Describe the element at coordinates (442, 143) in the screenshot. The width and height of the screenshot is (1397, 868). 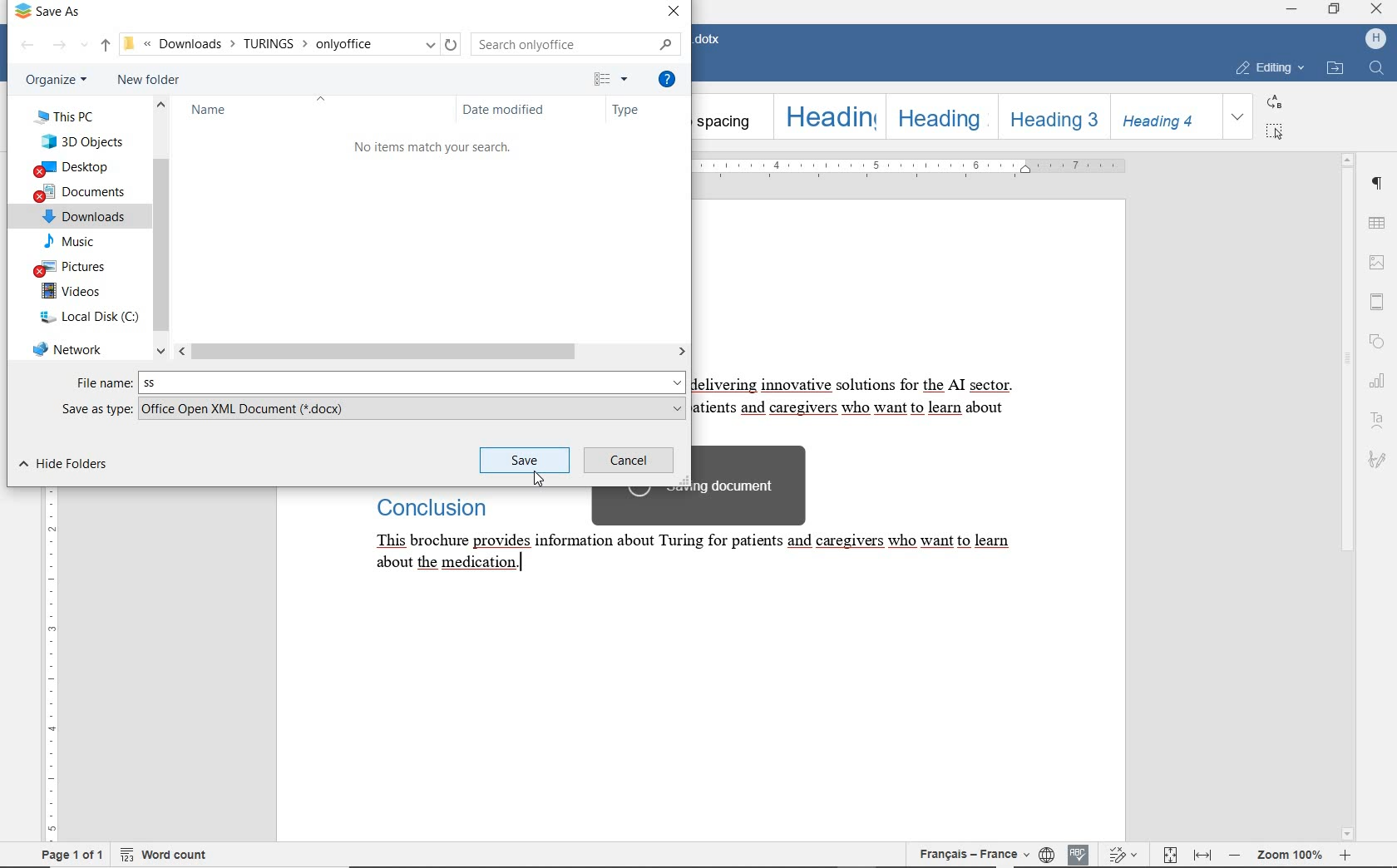
I see `file` at that location.